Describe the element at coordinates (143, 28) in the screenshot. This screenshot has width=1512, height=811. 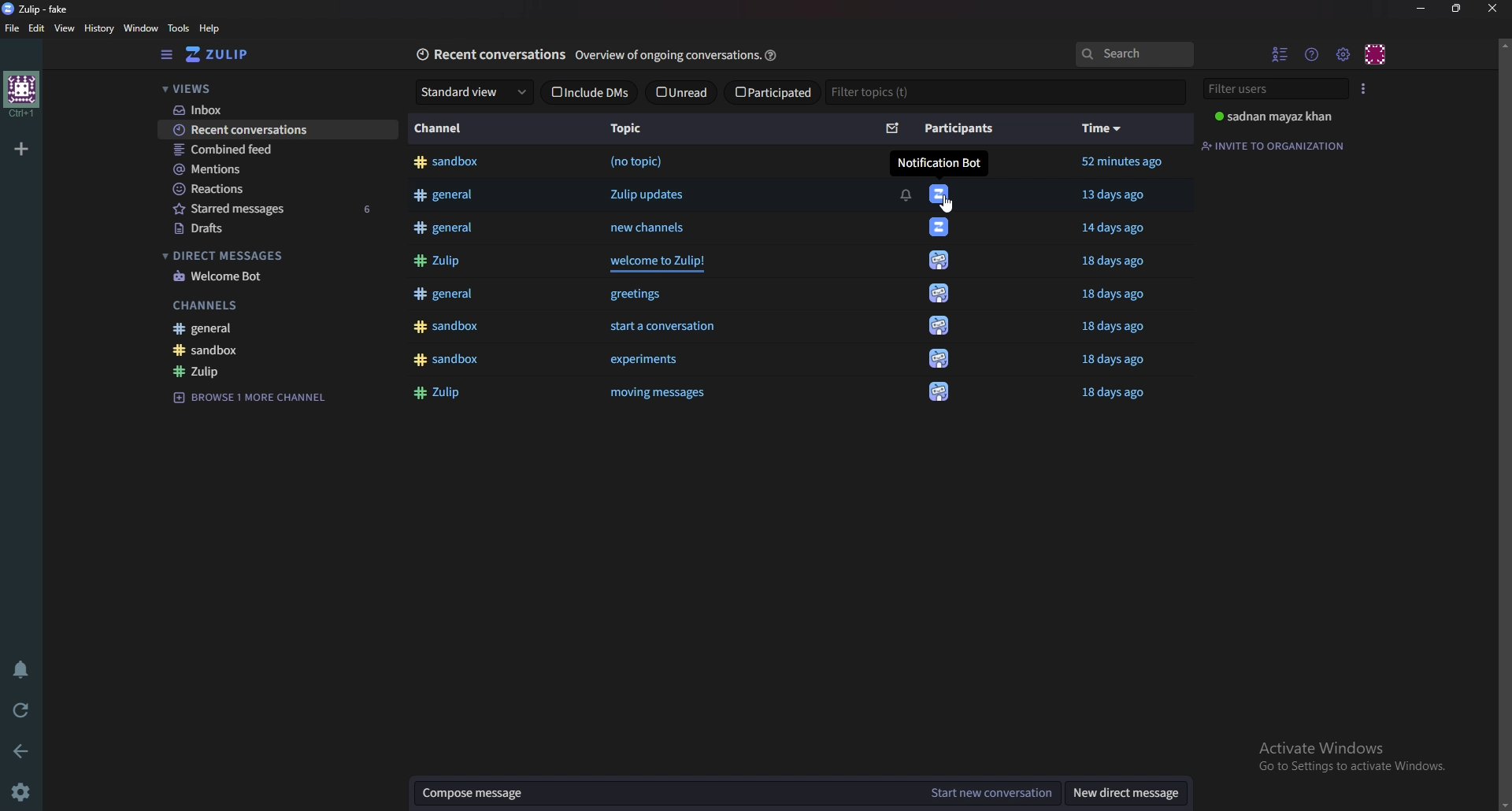
I see `Window` at that location.